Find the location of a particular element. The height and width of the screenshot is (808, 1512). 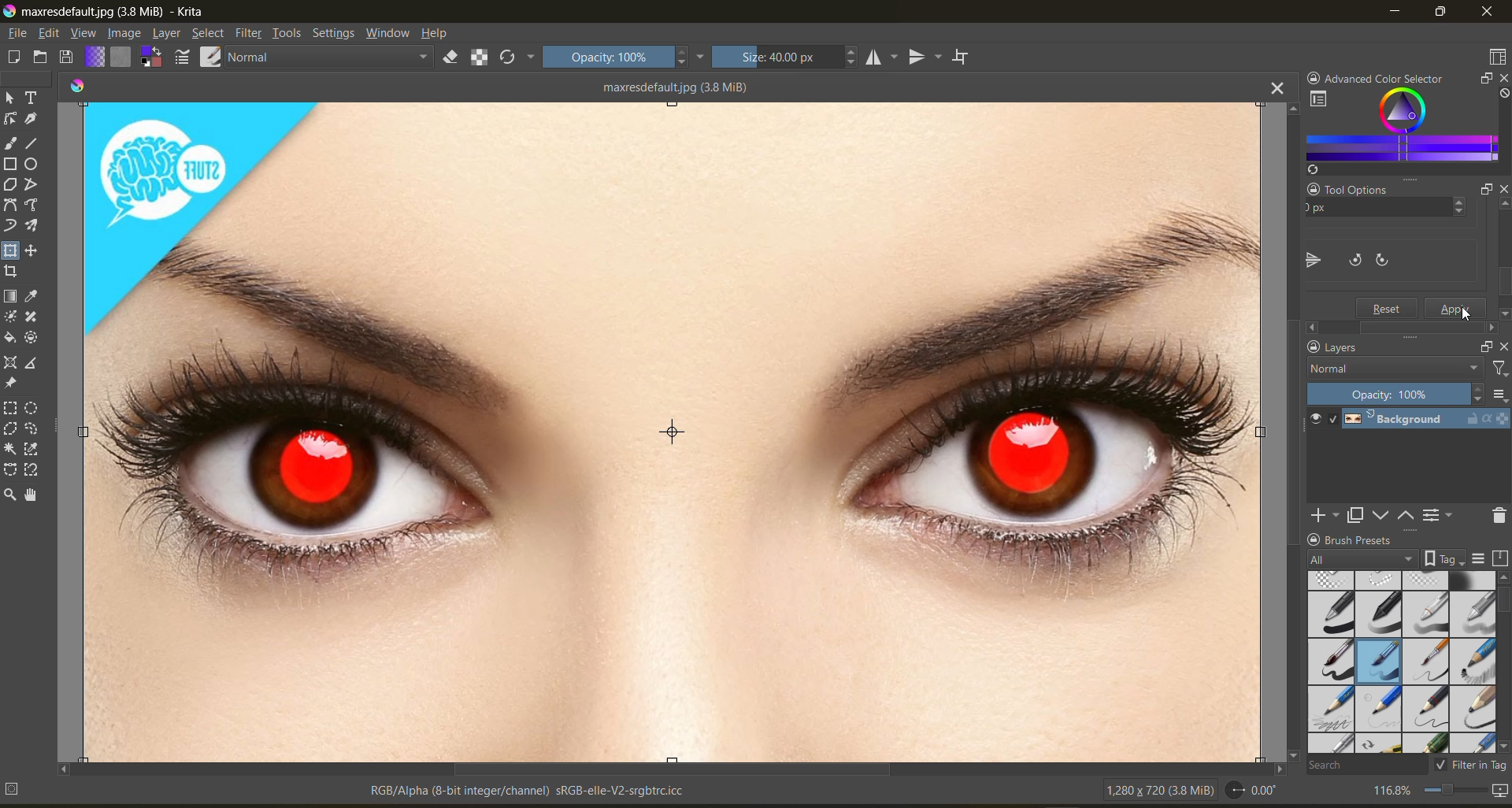

flip canvas is located at coordinates (1314, 261).